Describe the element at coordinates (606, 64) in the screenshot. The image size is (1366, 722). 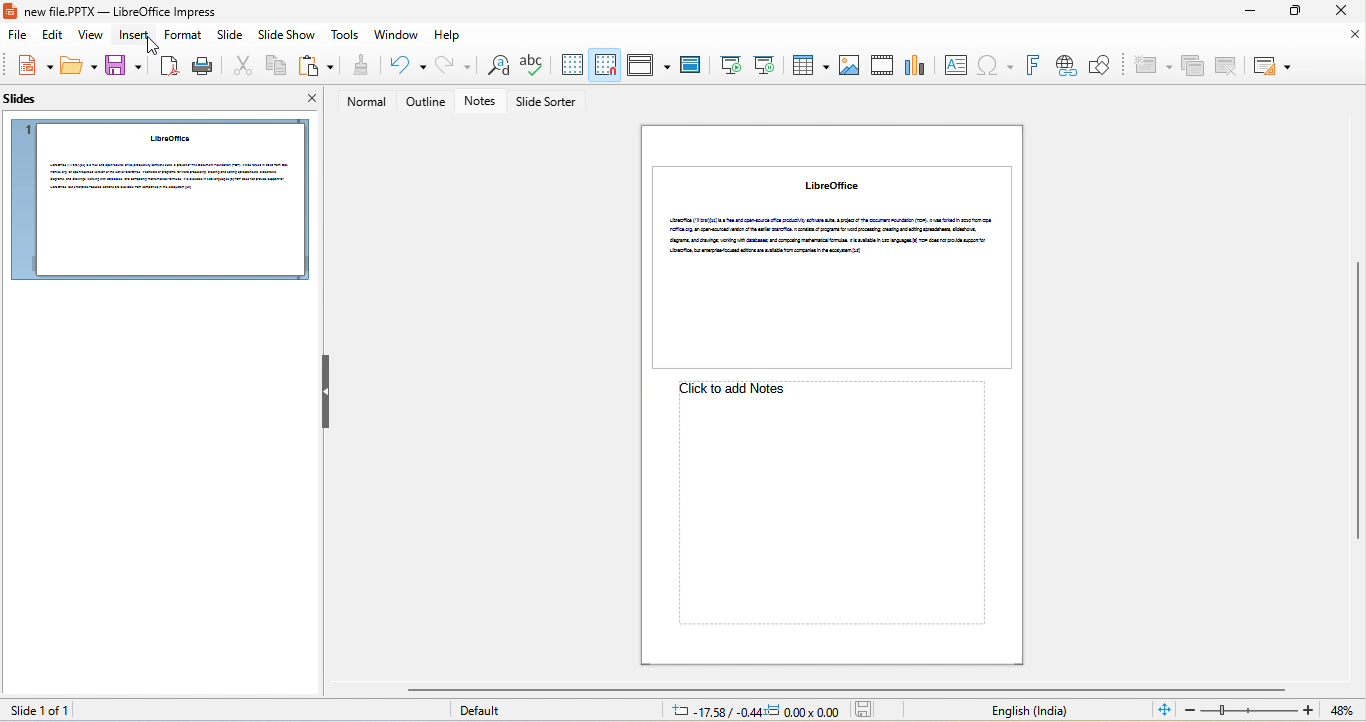
I see `snap to grid` at that location.